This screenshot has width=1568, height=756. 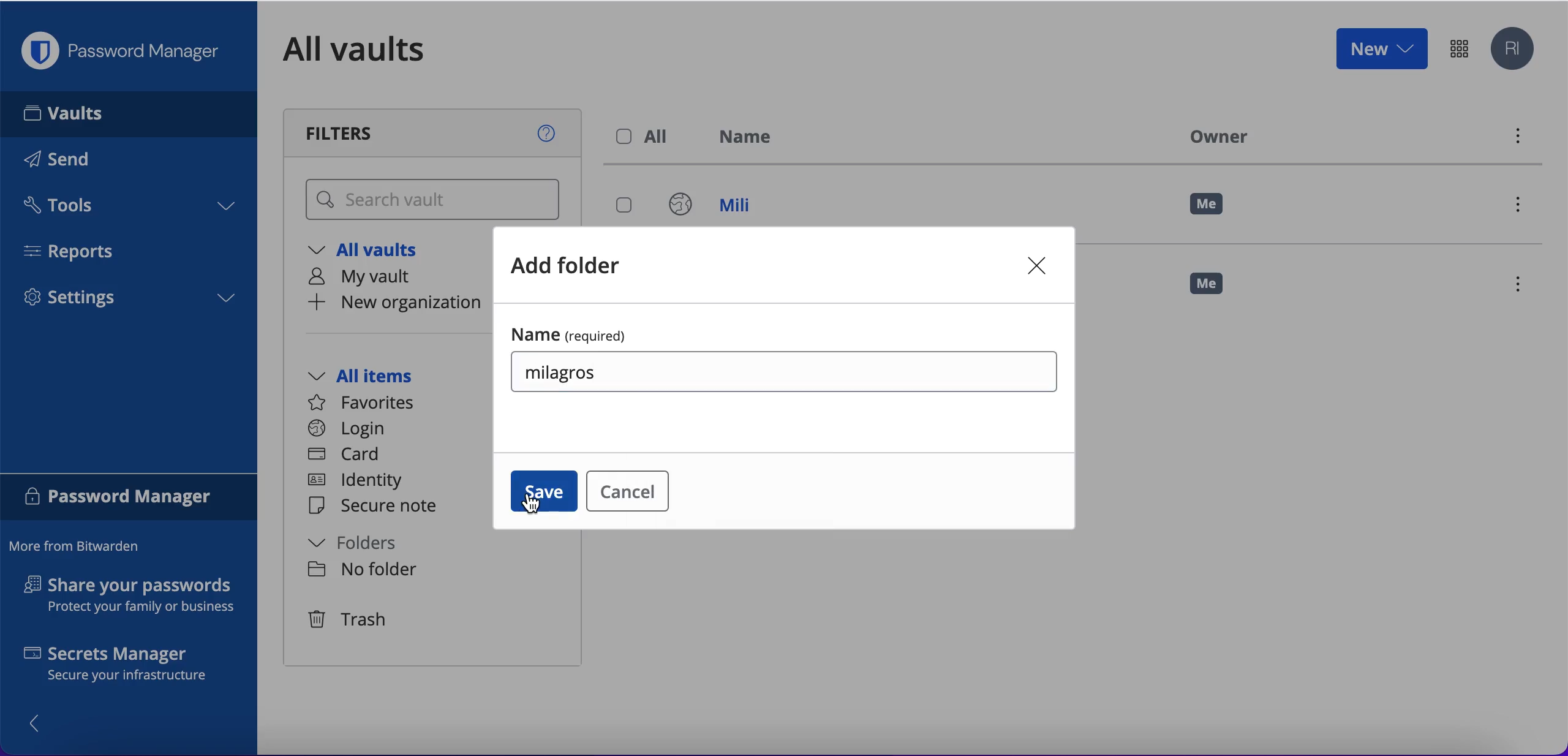 What do you see at coordinates (346, 456) in the screenshot?
I see `card` at bounding box center [346, 456].